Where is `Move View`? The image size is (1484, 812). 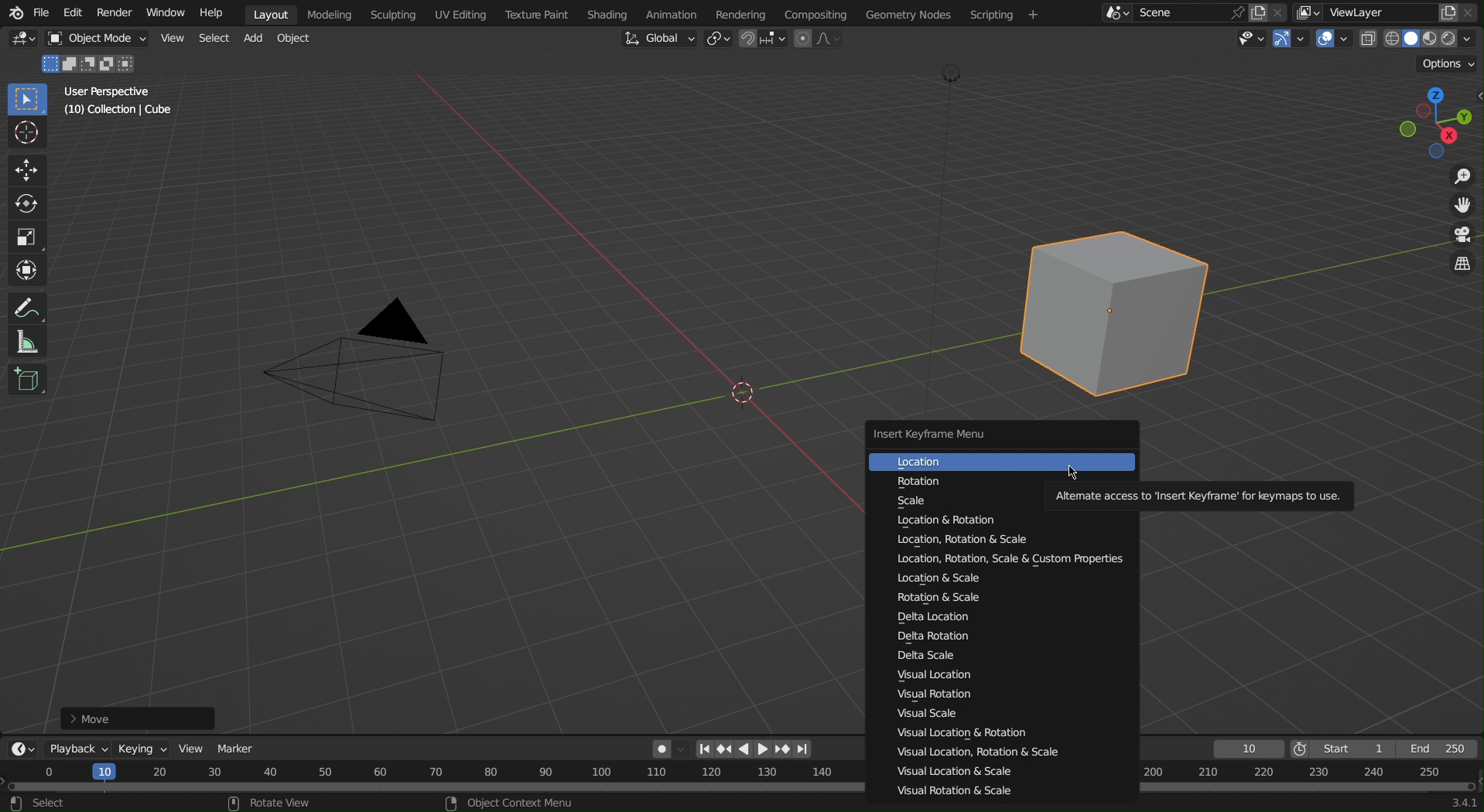
Move View is located at coordinates (1456, 209).